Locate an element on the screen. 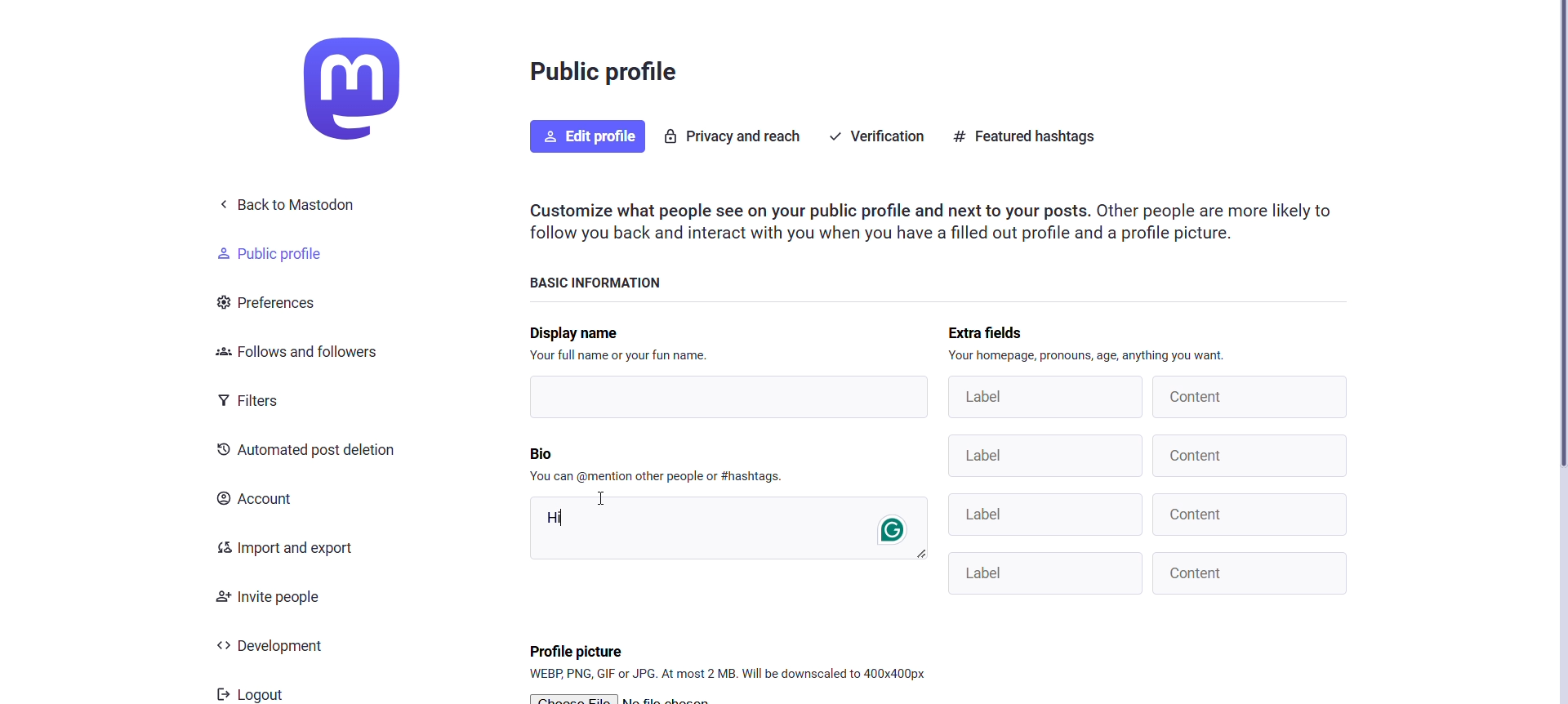 This screenshot has height=704, width=1568. Automated Post Deletion is located at coordinates (308, 452).